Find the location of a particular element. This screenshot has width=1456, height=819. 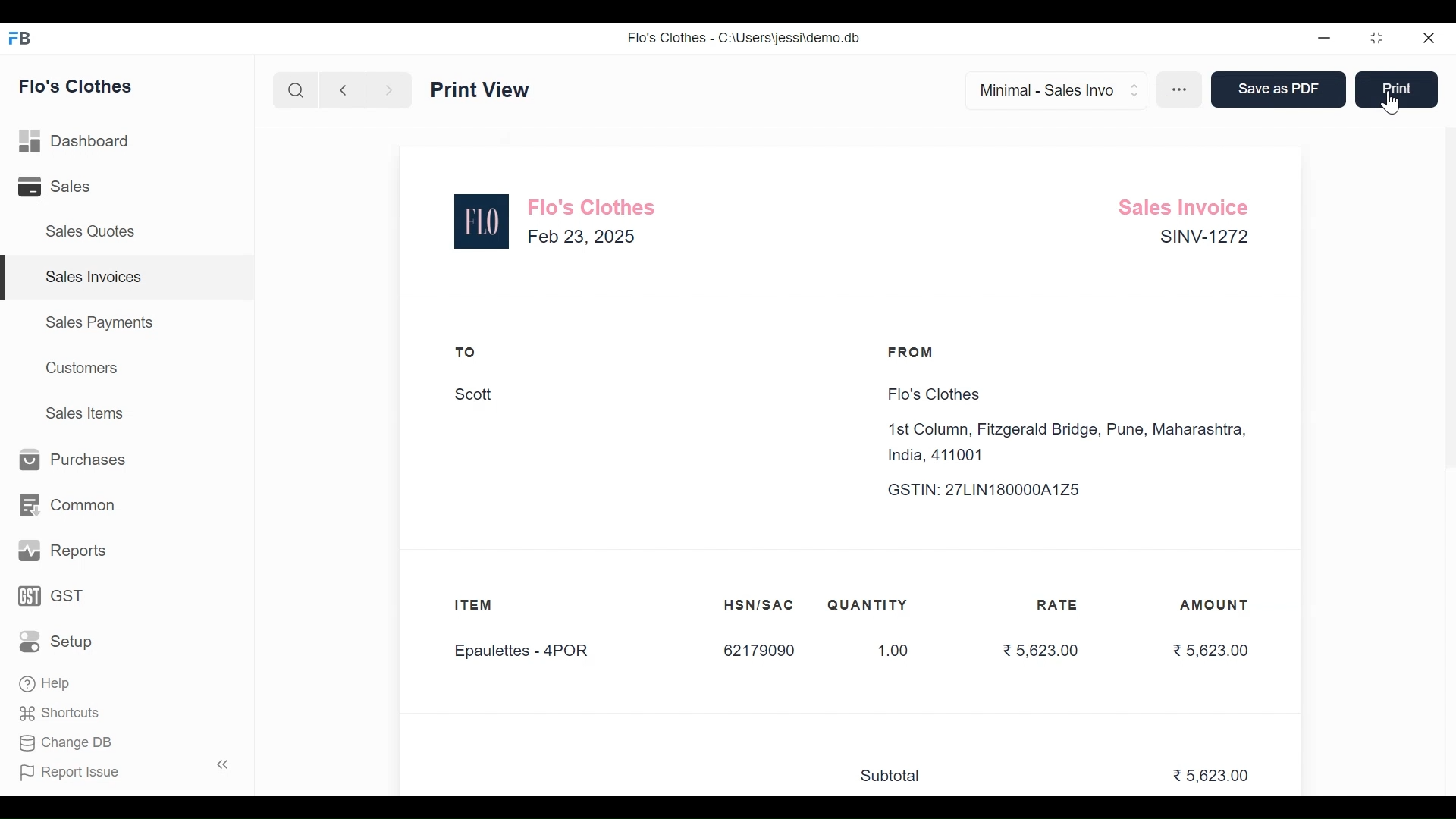

Customers is located at coordinates (82, 369).